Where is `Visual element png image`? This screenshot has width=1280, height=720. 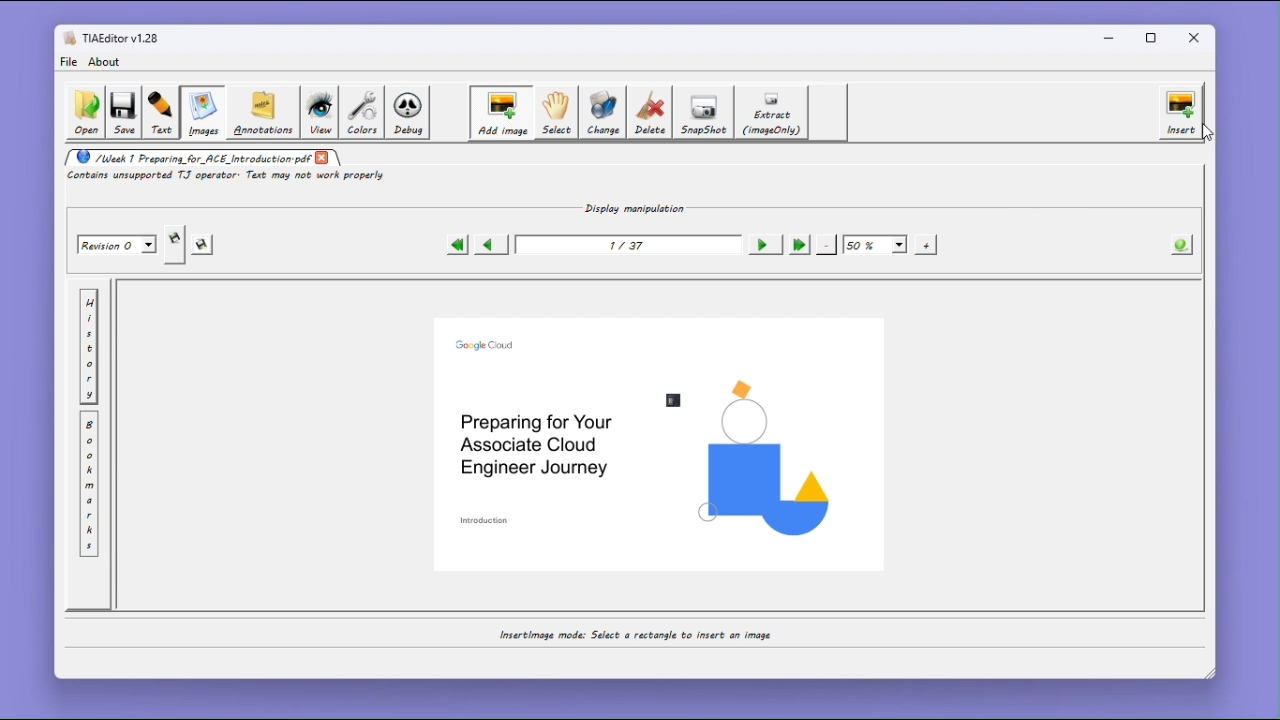 Visual element png image is located at coordinates (763, 458).